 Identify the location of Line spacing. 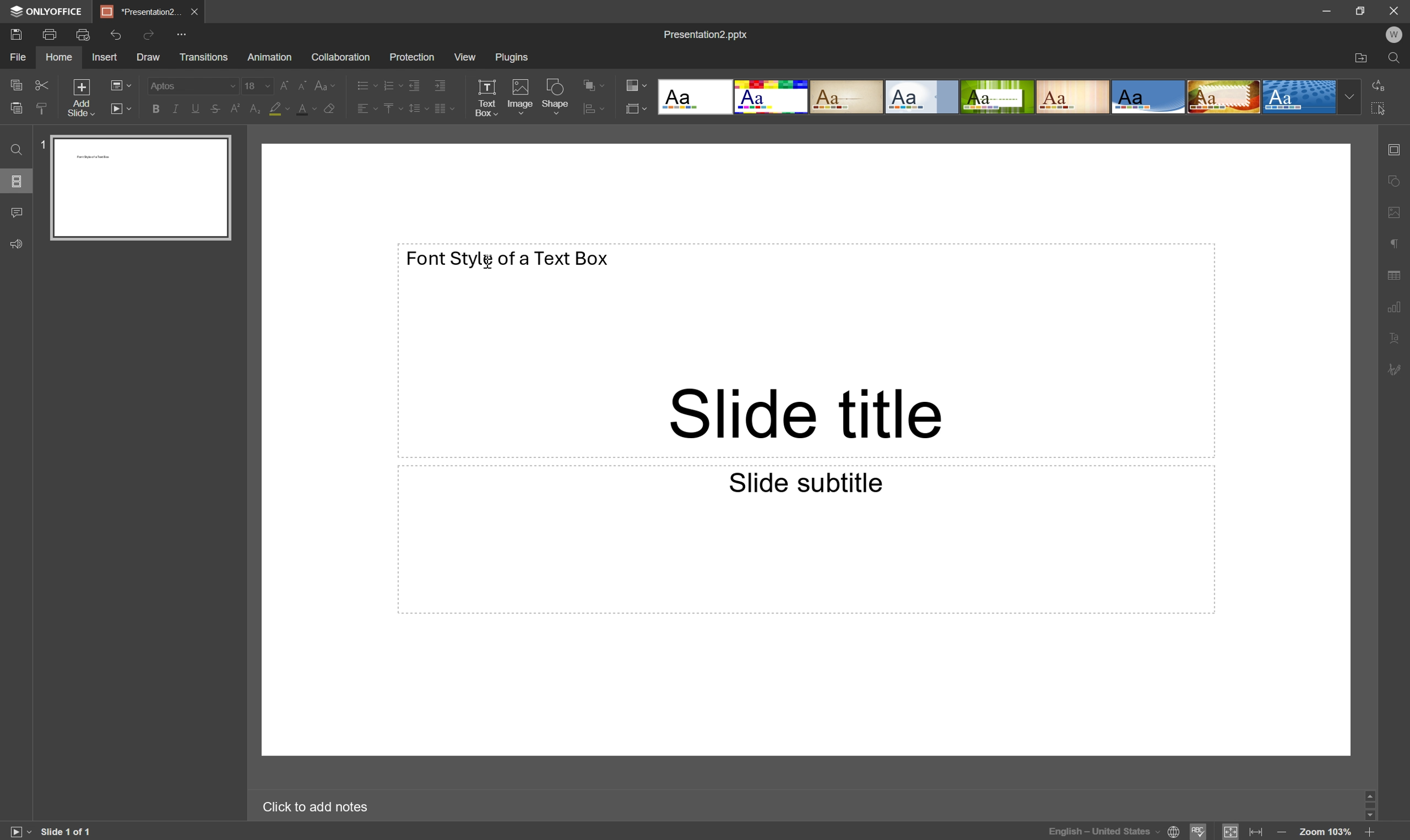
(418, 108).